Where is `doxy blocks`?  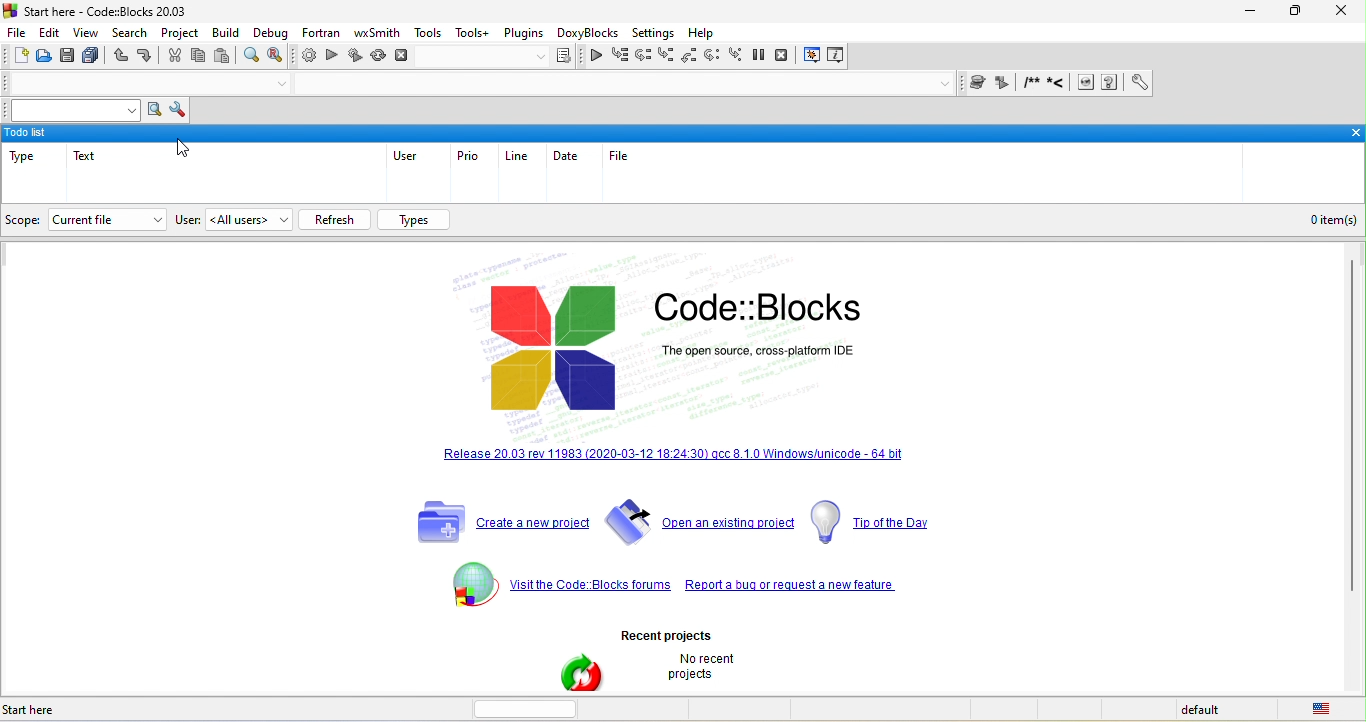
doxy blocks is located at coordinates (585, 34).